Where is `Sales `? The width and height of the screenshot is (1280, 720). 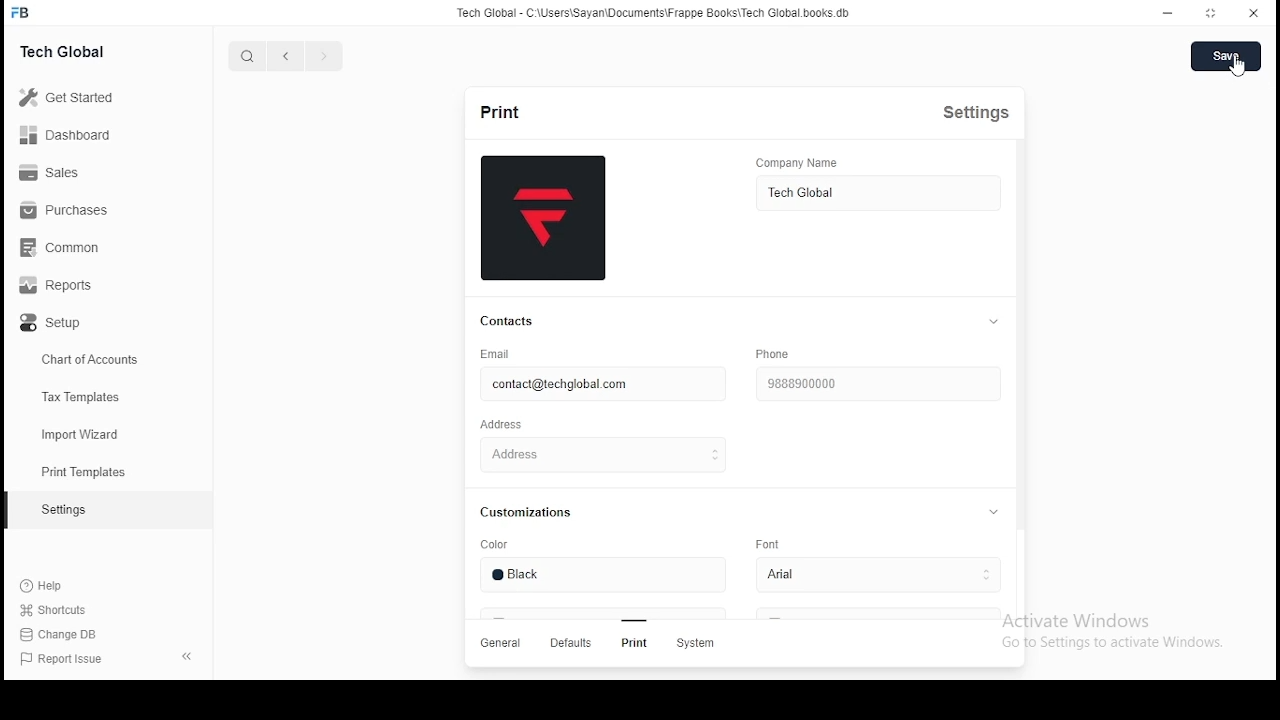 Sales  is located at coordinates (80, 175).